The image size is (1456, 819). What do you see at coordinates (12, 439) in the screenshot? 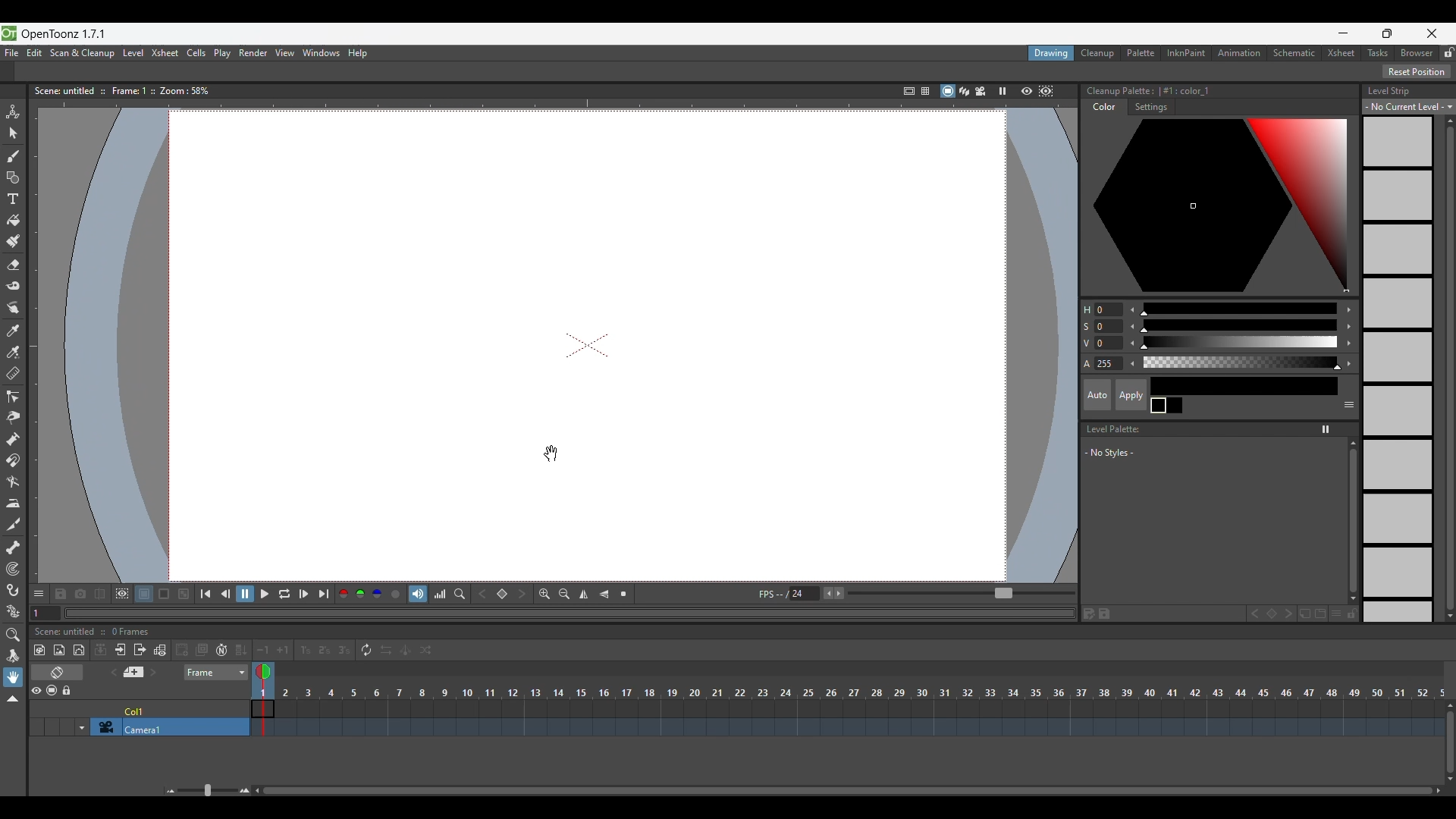
I see `Pump tool` at bounding box center [12, 439].